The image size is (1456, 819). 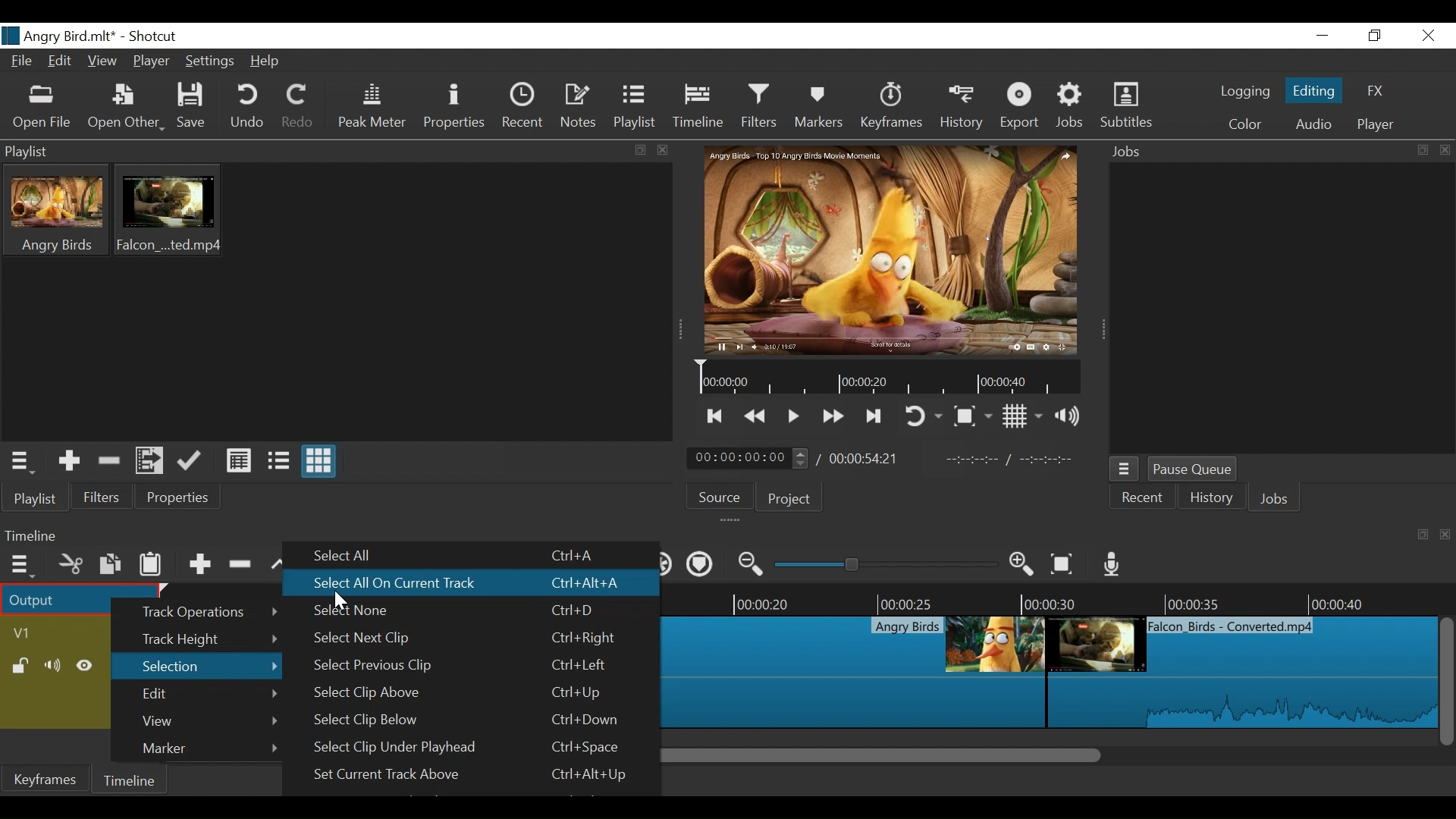 I want to click on Keyframes, so click(x=890, y=107).